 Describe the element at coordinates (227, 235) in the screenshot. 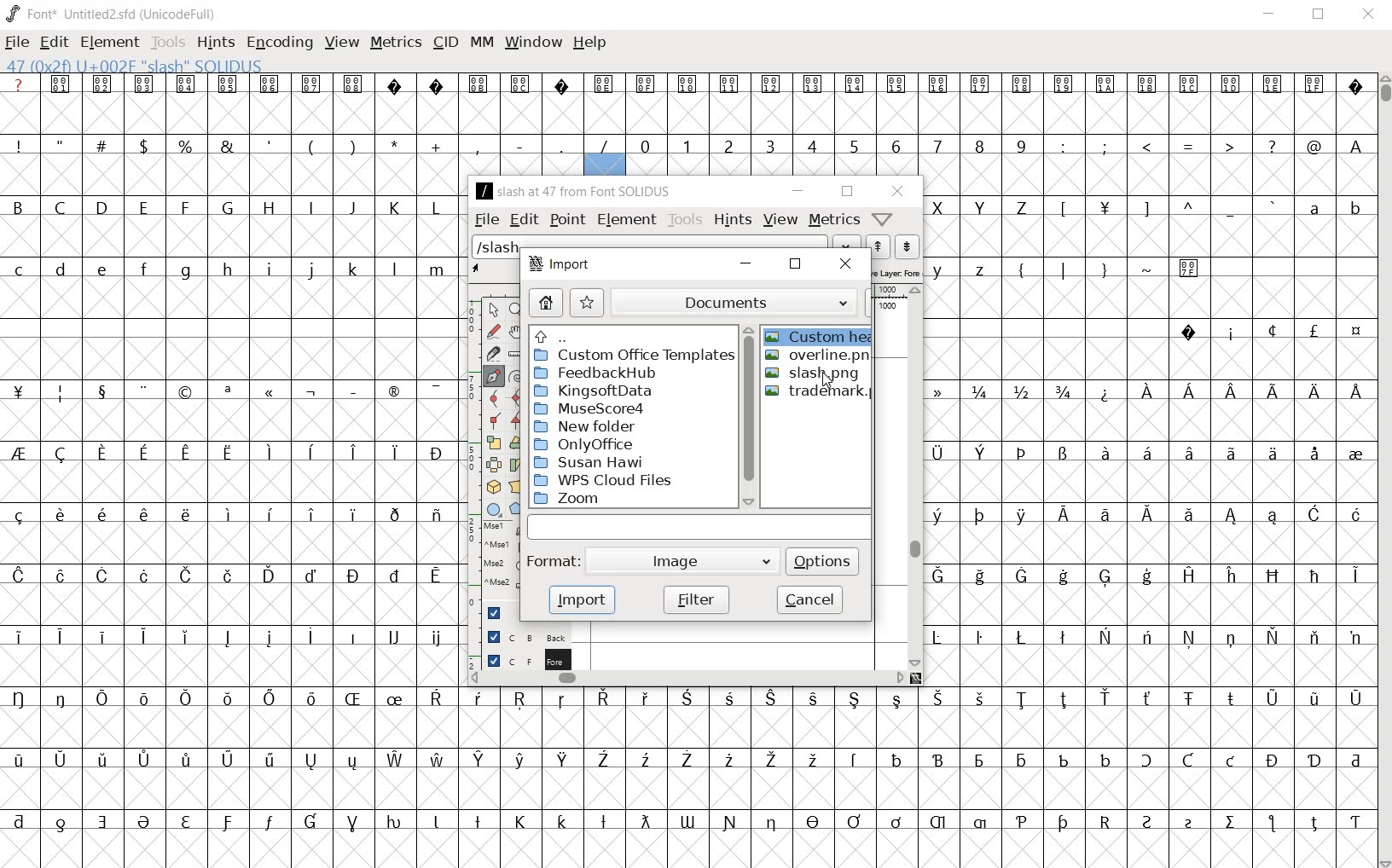

I see `empty cells` at that location.